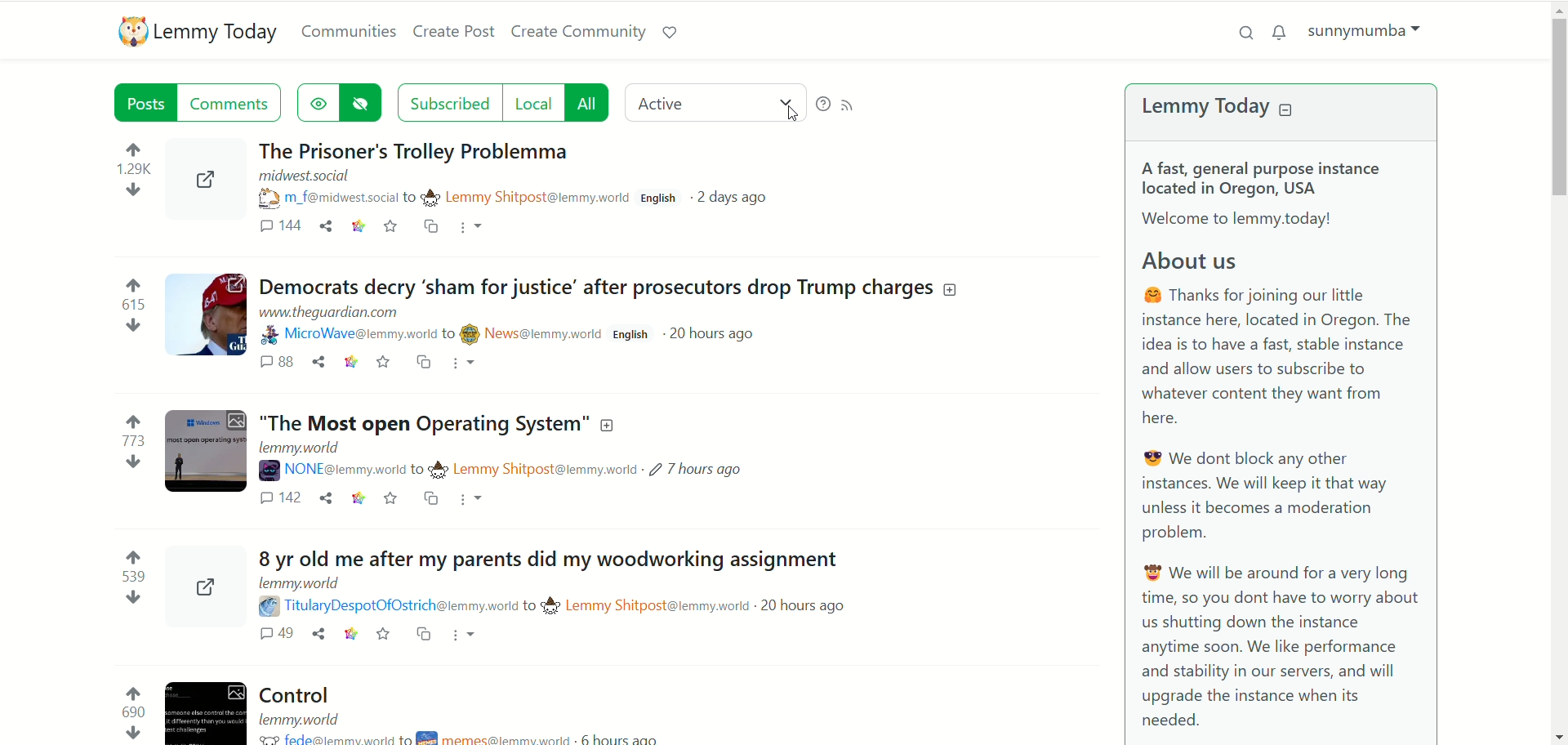 The image size is (1568, 745). What do you see at coordinates (792, 117) in the screenshot?
I see `Pointer` at bounding box center [792, 117].